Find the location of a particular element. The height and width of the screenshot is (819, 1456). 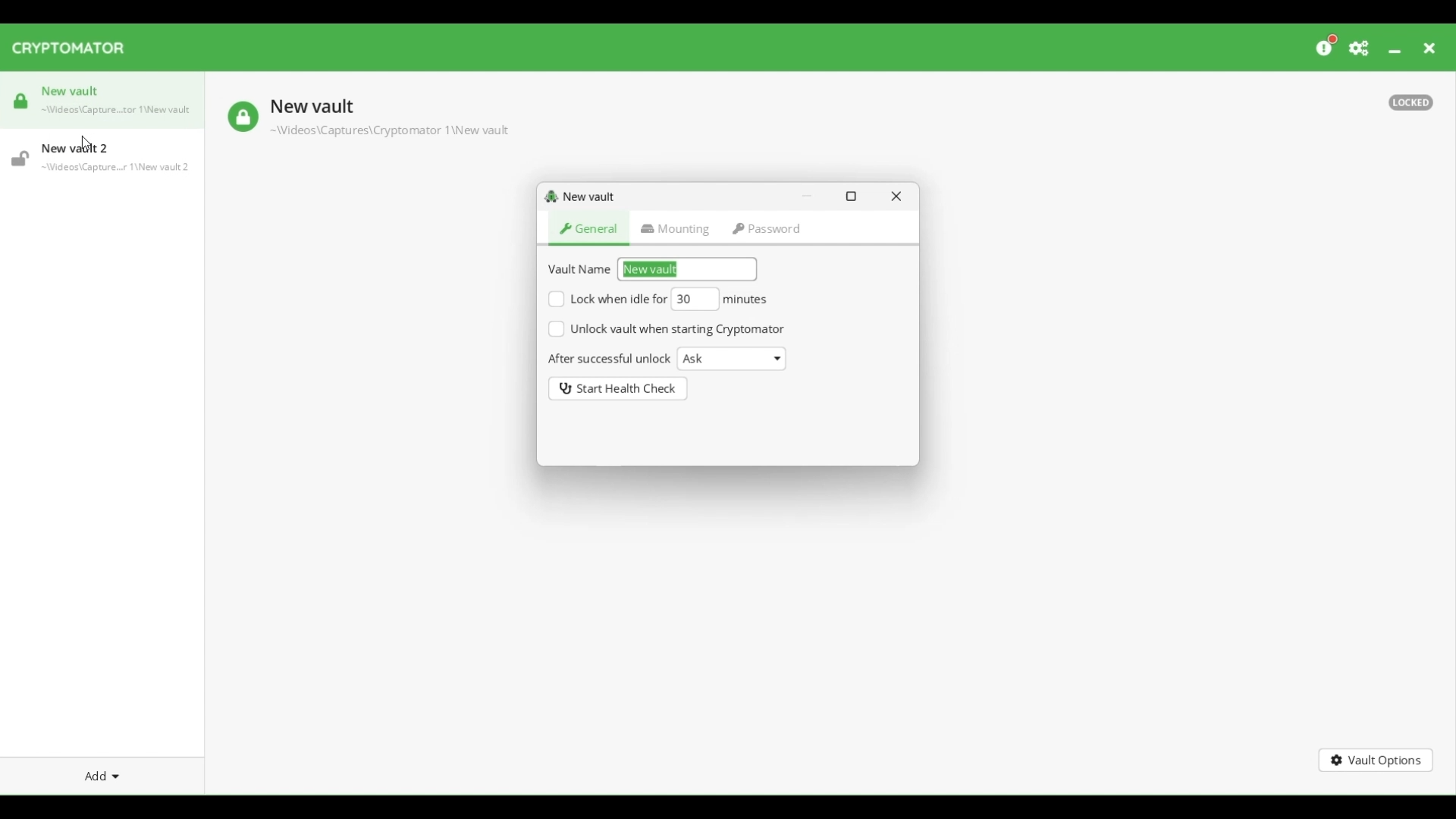

Preferences is located at coordinates (1359, 49).